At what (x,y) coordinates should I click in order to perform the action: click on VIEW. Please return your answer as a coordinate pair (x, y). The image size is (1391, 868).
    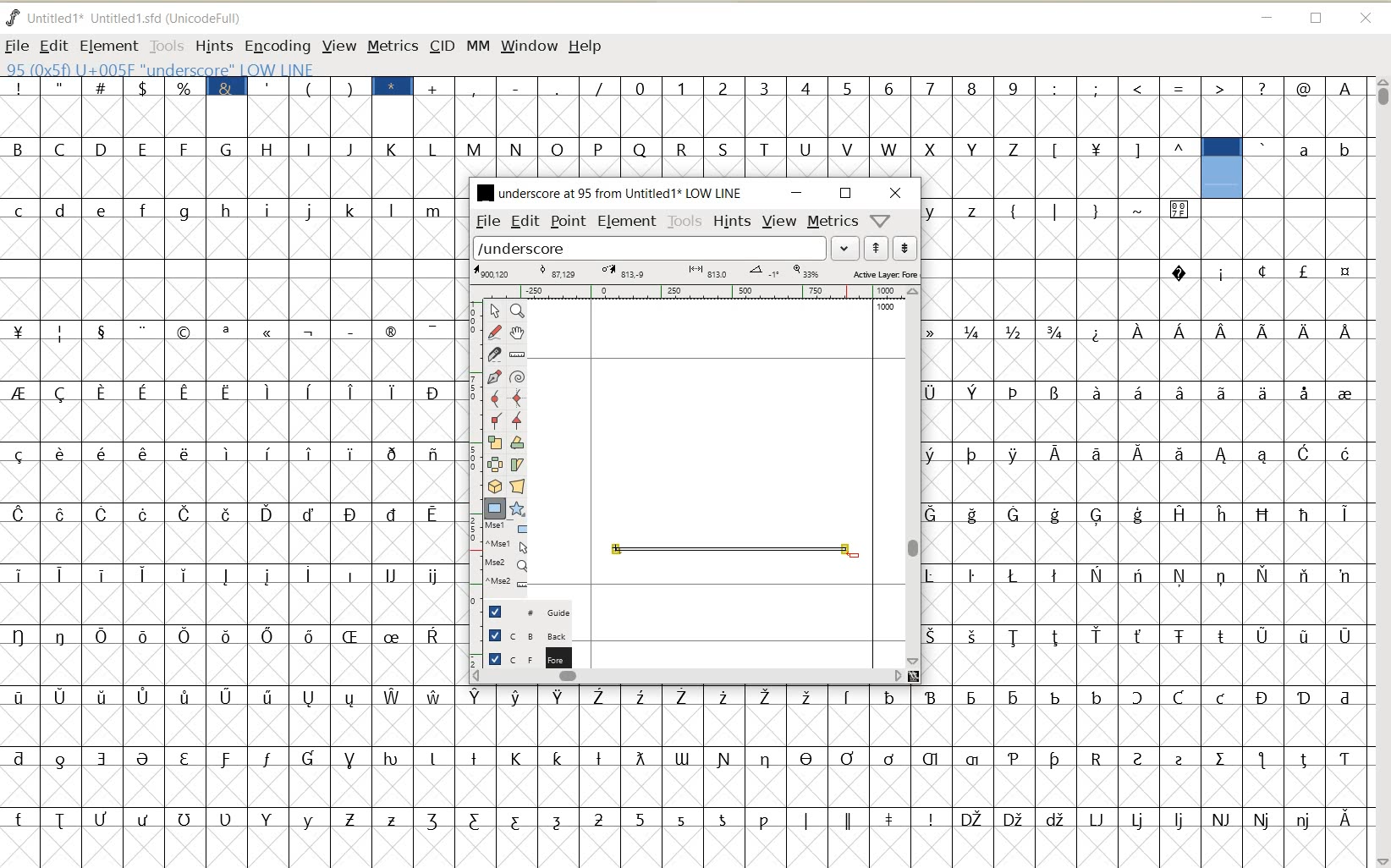
    Looking at the image, I should click on (336, 45).